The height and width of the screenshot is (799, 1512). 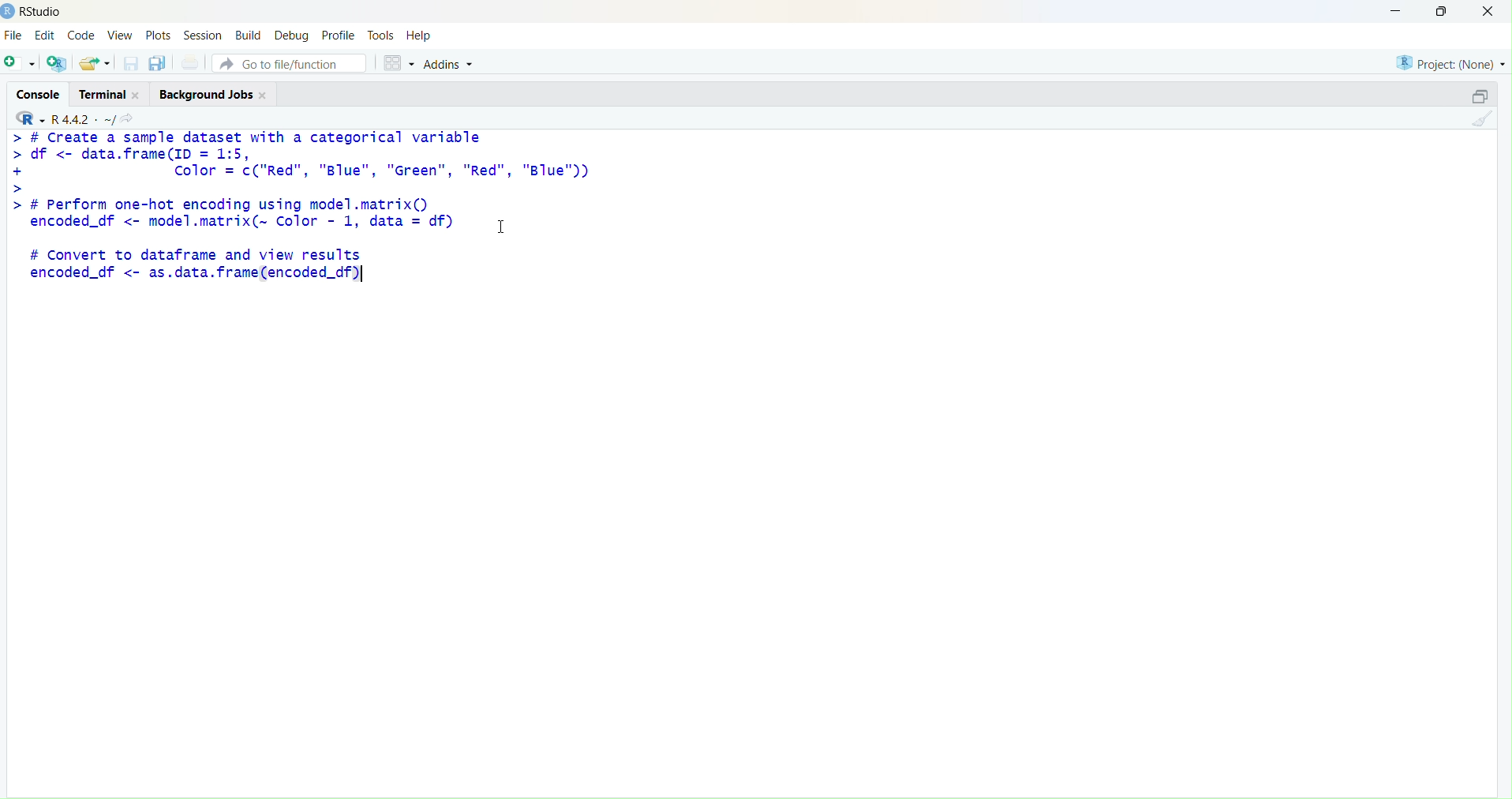 What do you see at coordinates (46, 35) in the screenshot?
I see `edit` at bounding box center [46, 35].